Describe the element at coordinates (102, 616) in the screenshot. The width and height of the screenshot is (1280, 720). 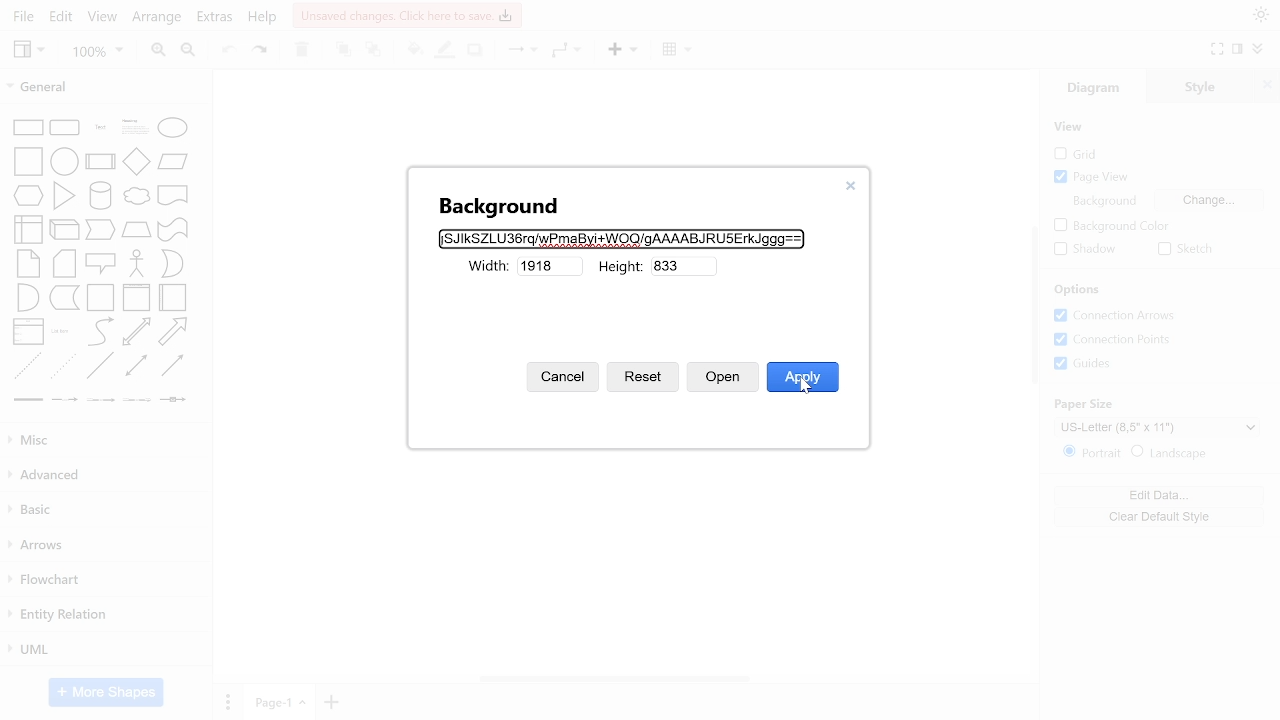
I see `entity relation` at that location.